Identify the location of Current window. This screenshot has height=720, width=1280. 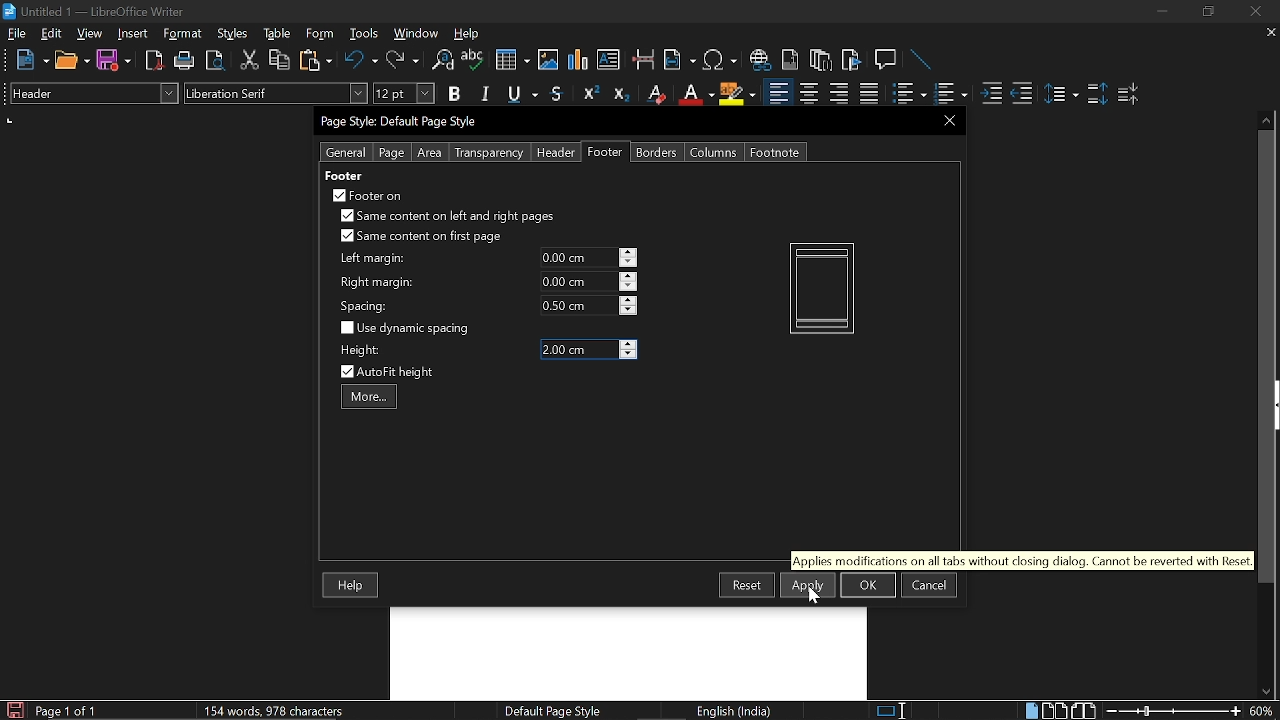
(94, 12).